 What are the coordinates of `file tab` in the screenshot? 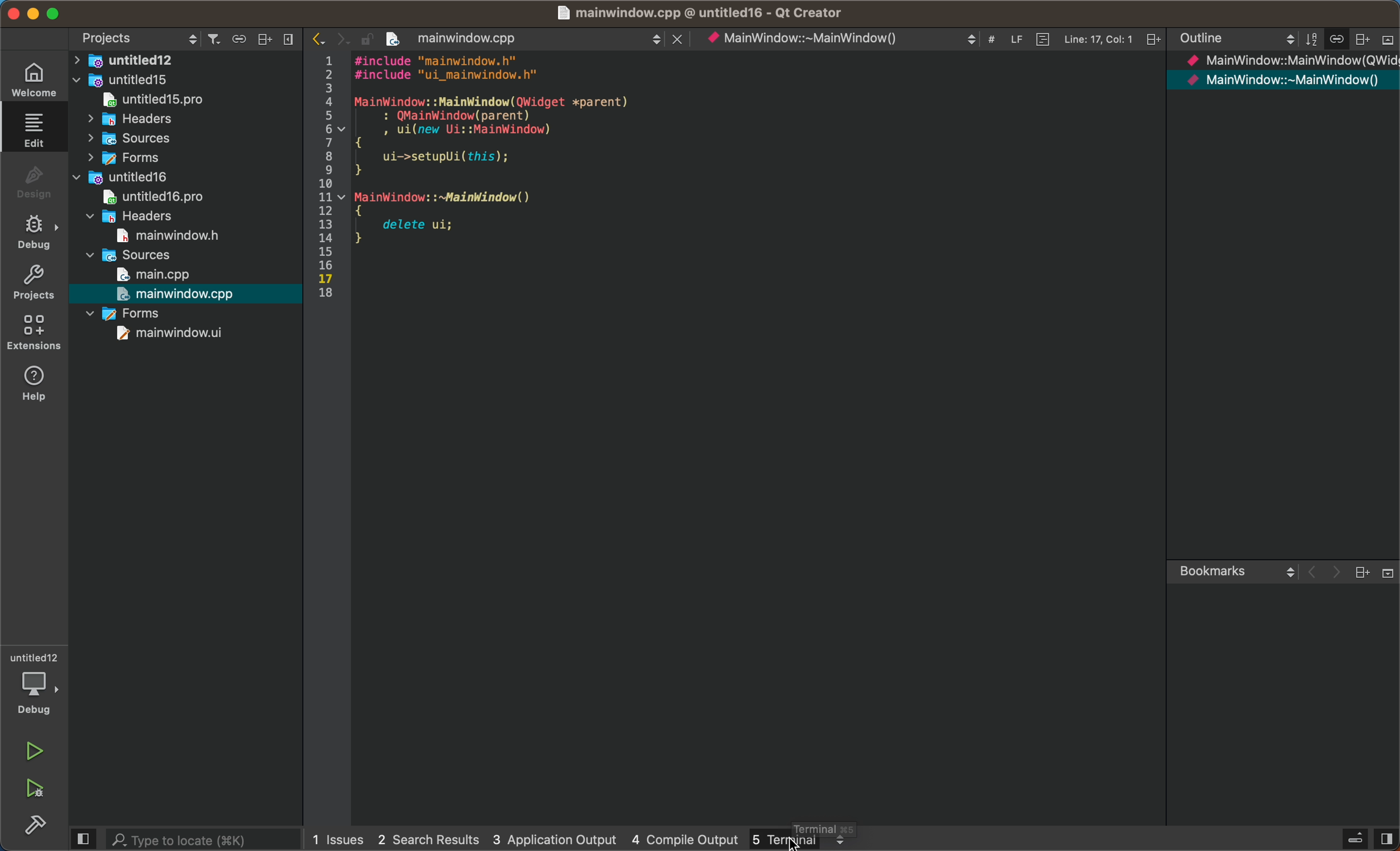 It's located at (542, 40).